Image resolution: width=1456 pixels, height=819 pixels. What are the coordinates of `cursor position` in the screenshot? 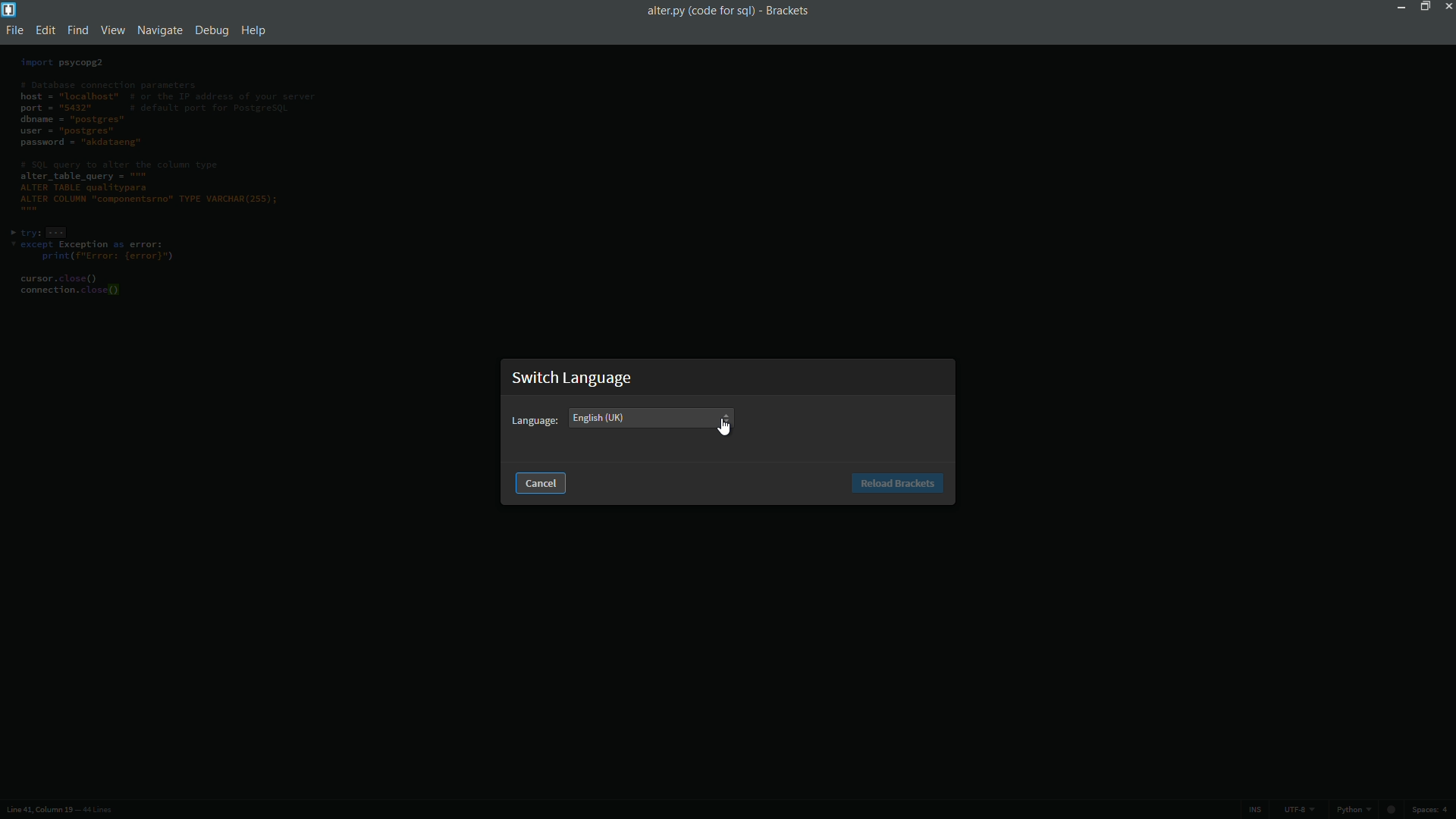 It's located at (36, 810).